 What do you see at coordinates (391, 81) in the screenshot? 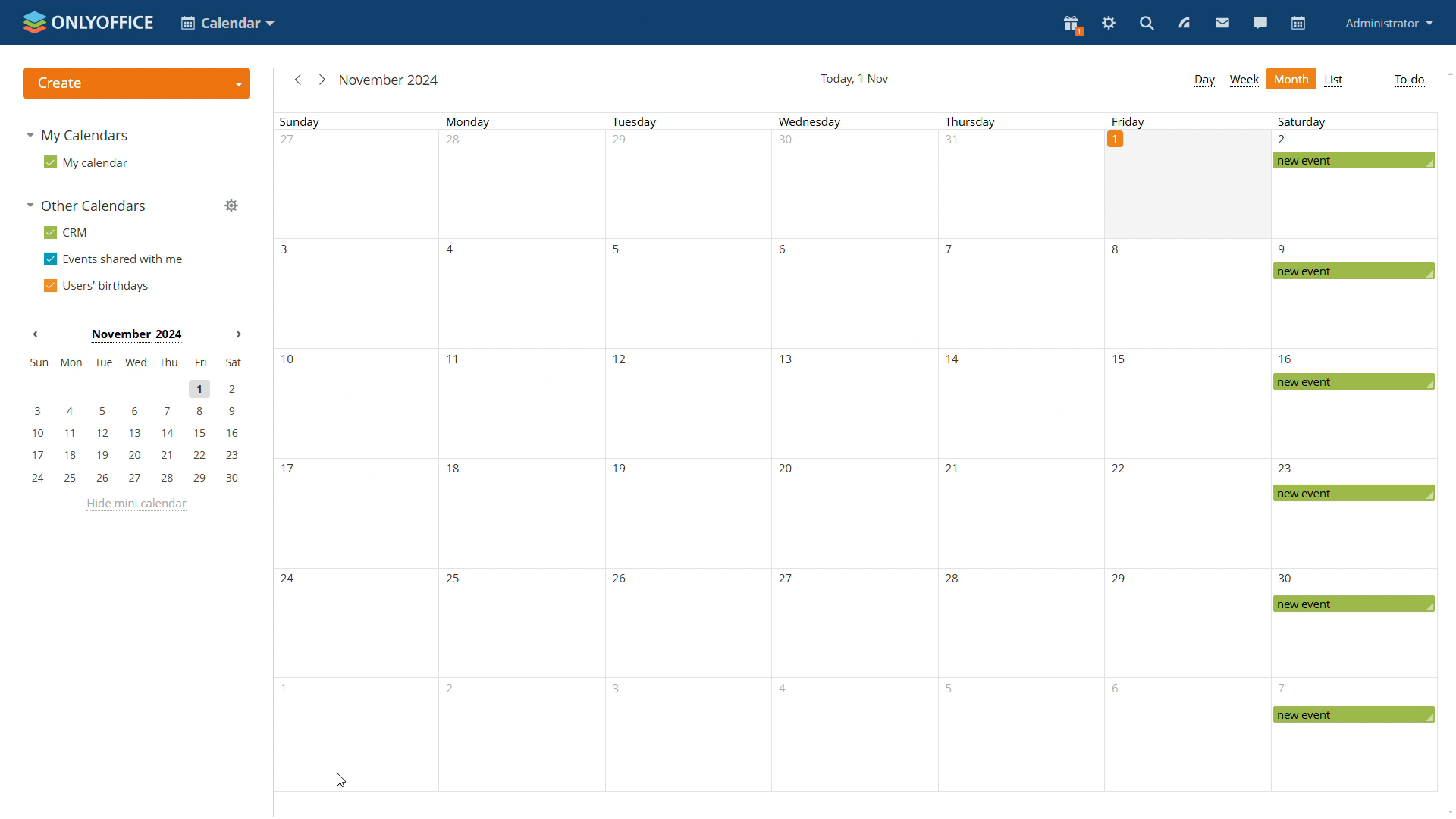
I see `current month ` at bounding box center [391, 81].